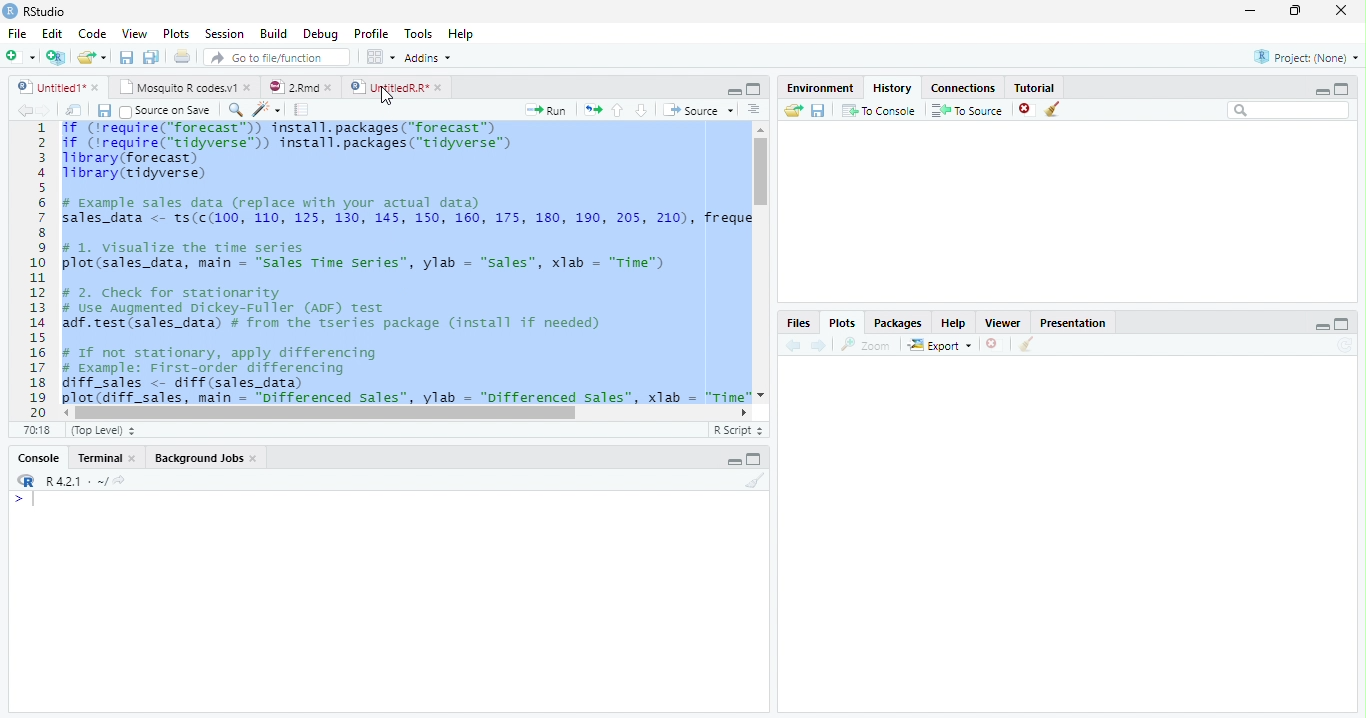  I want to click on UntitledR.R, so click(403, 86).